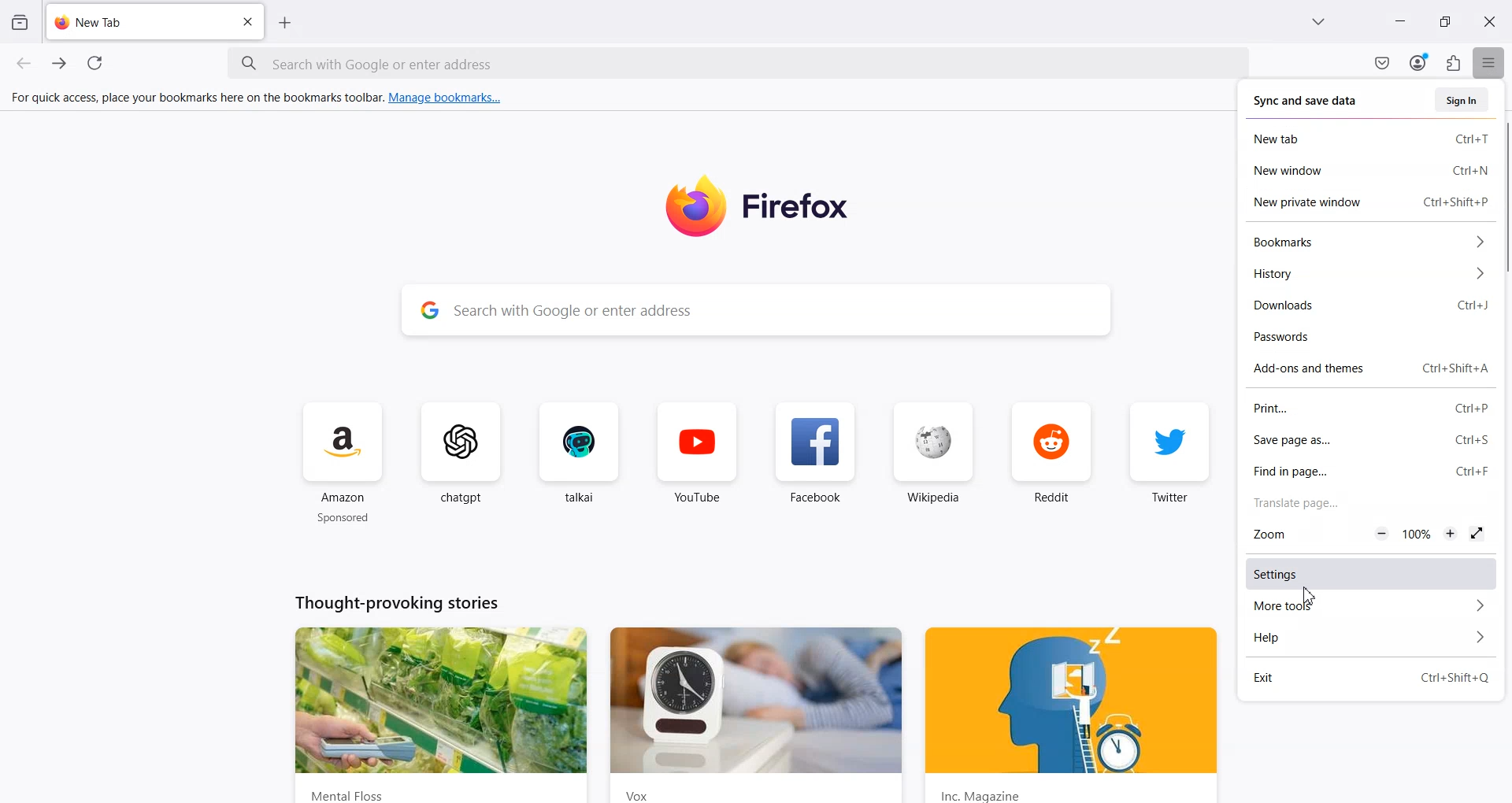  What do you see at coordinates (1366, 242) in the screenshot?
I see `Bookmarks >` at bounding box center [1366, 242].